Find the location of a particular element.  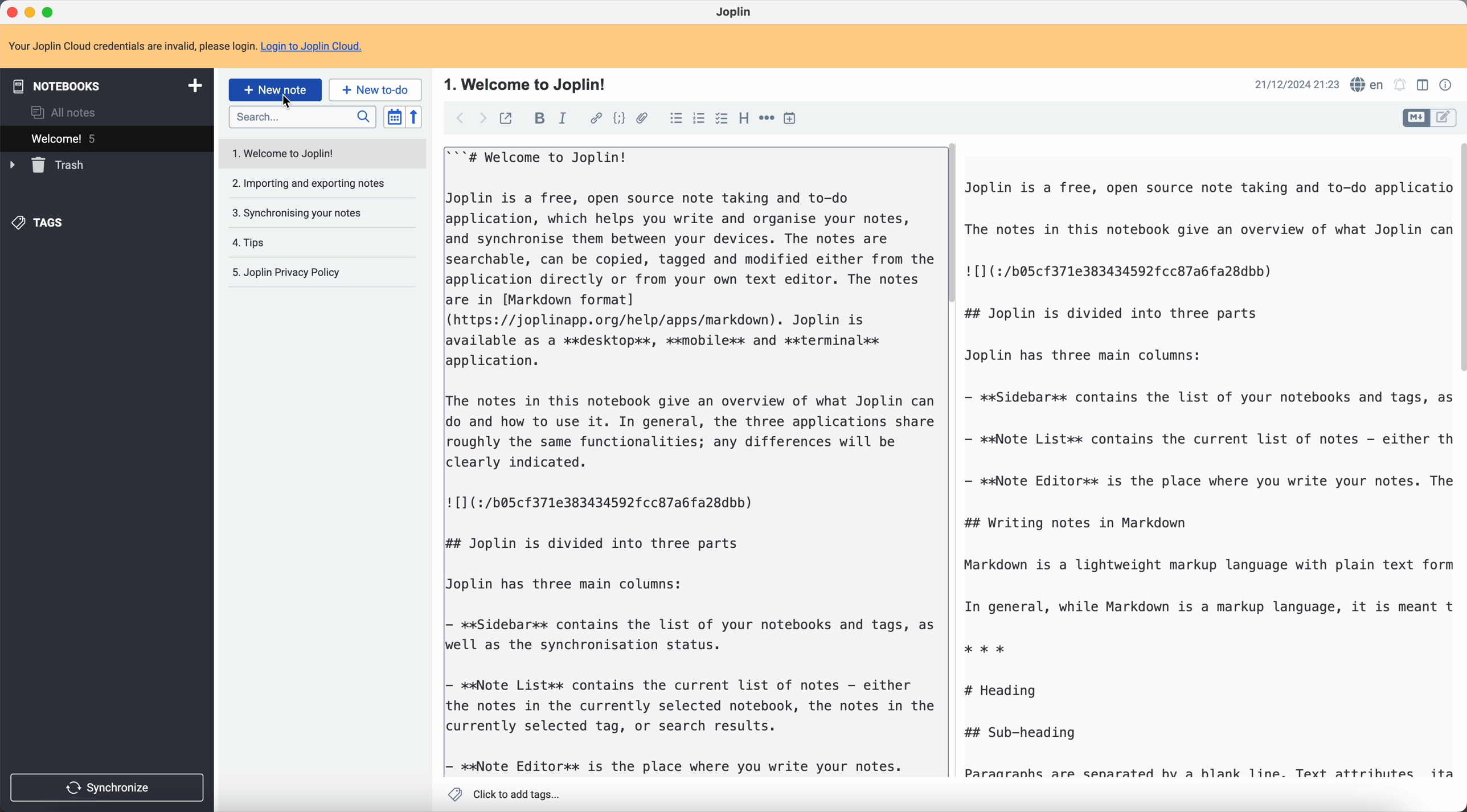

notebooks is located at coordinates (105, 85).